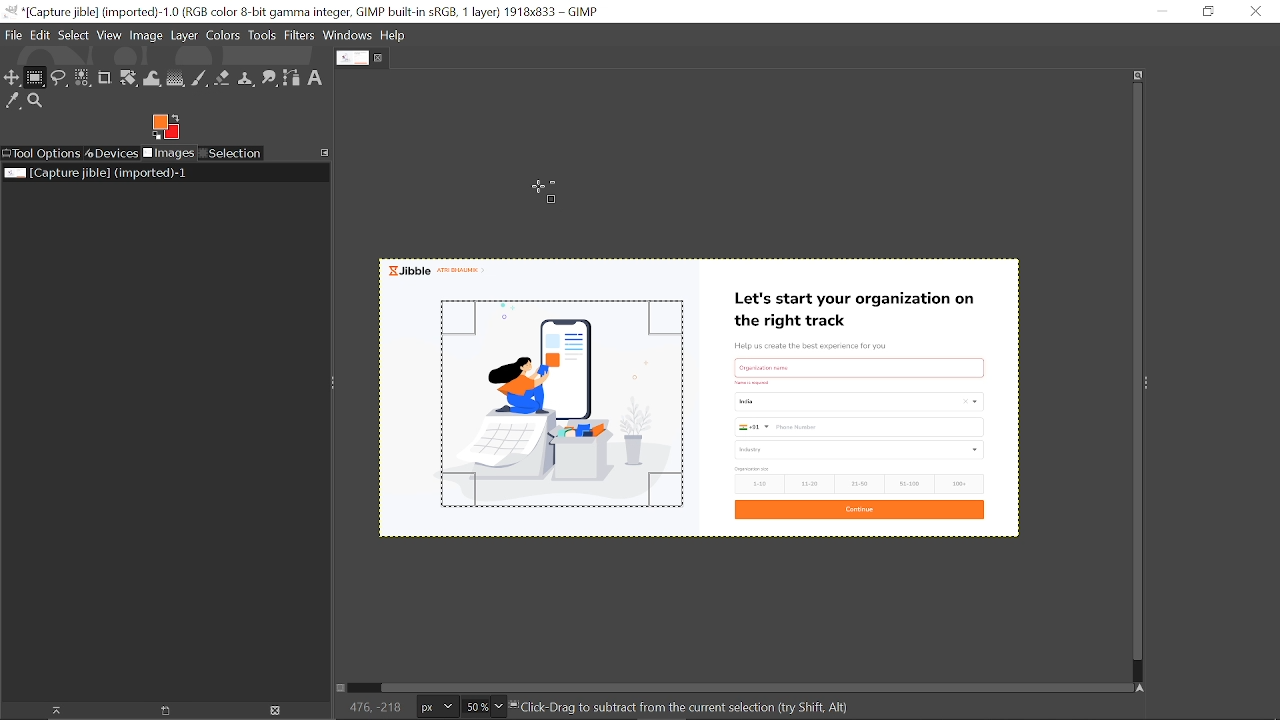 The width and height of the screenshot is (1280, 720). I want to click on Rotate tool, so click(128, 79).